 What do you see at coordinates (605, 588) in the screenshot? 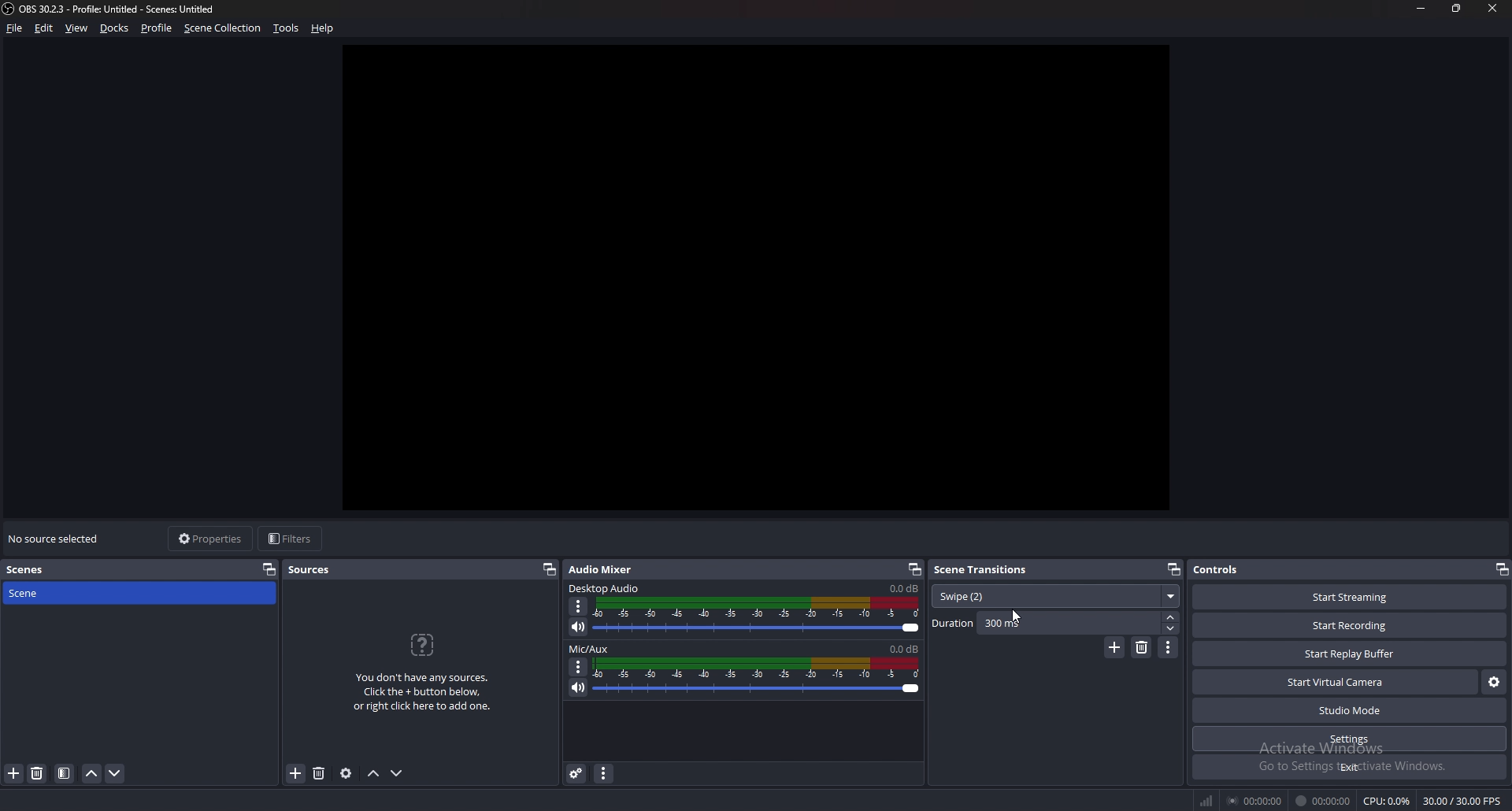
I see `desktop audio` at bounding box center [605, 588].